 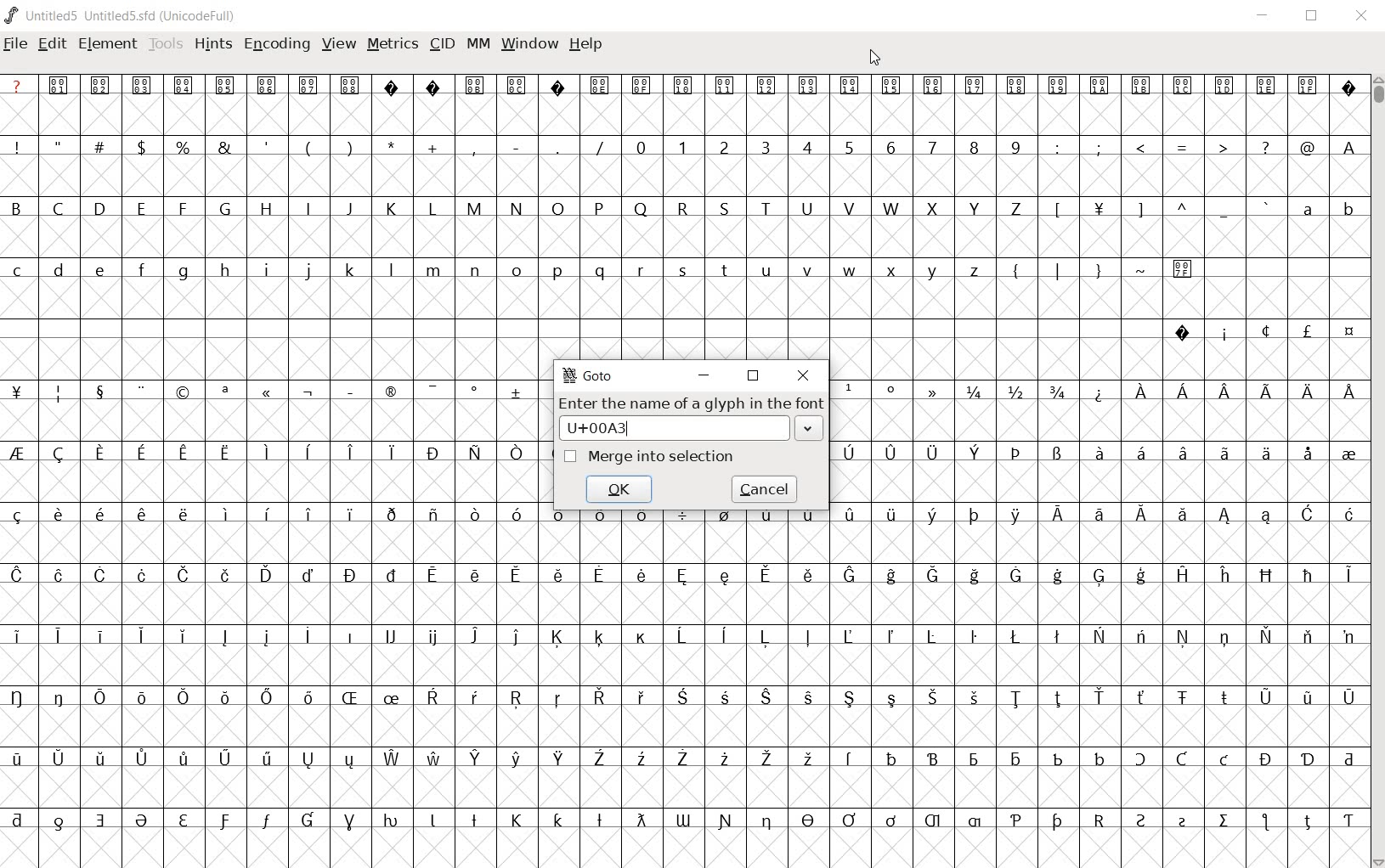 I want to click on Symbol, so click(x=1098, y=211).